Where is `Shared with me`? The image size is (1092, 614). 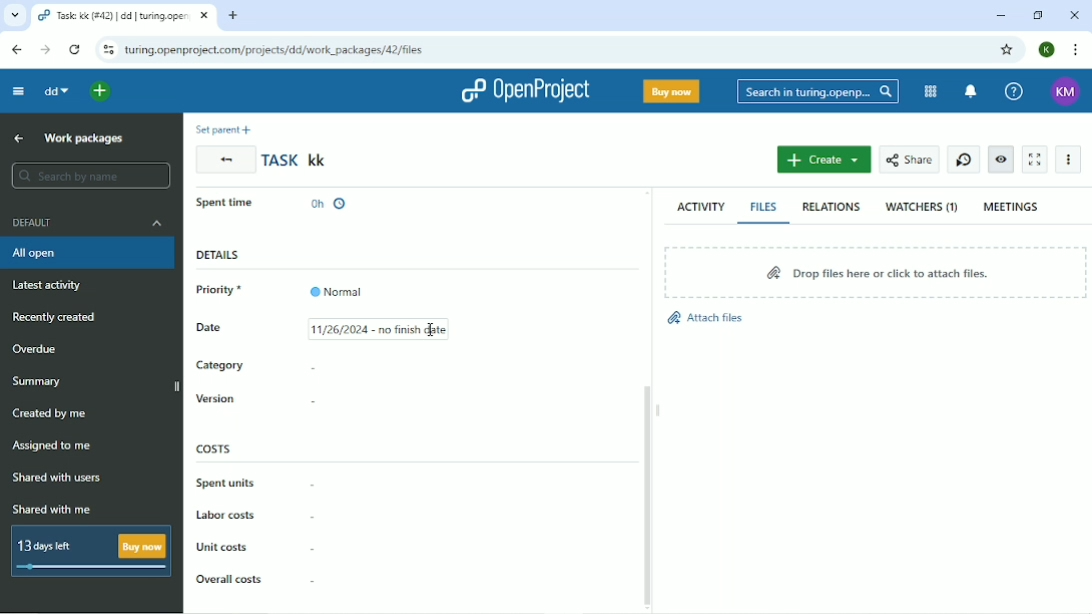
Shared with me is located at coordinates (51, 509).